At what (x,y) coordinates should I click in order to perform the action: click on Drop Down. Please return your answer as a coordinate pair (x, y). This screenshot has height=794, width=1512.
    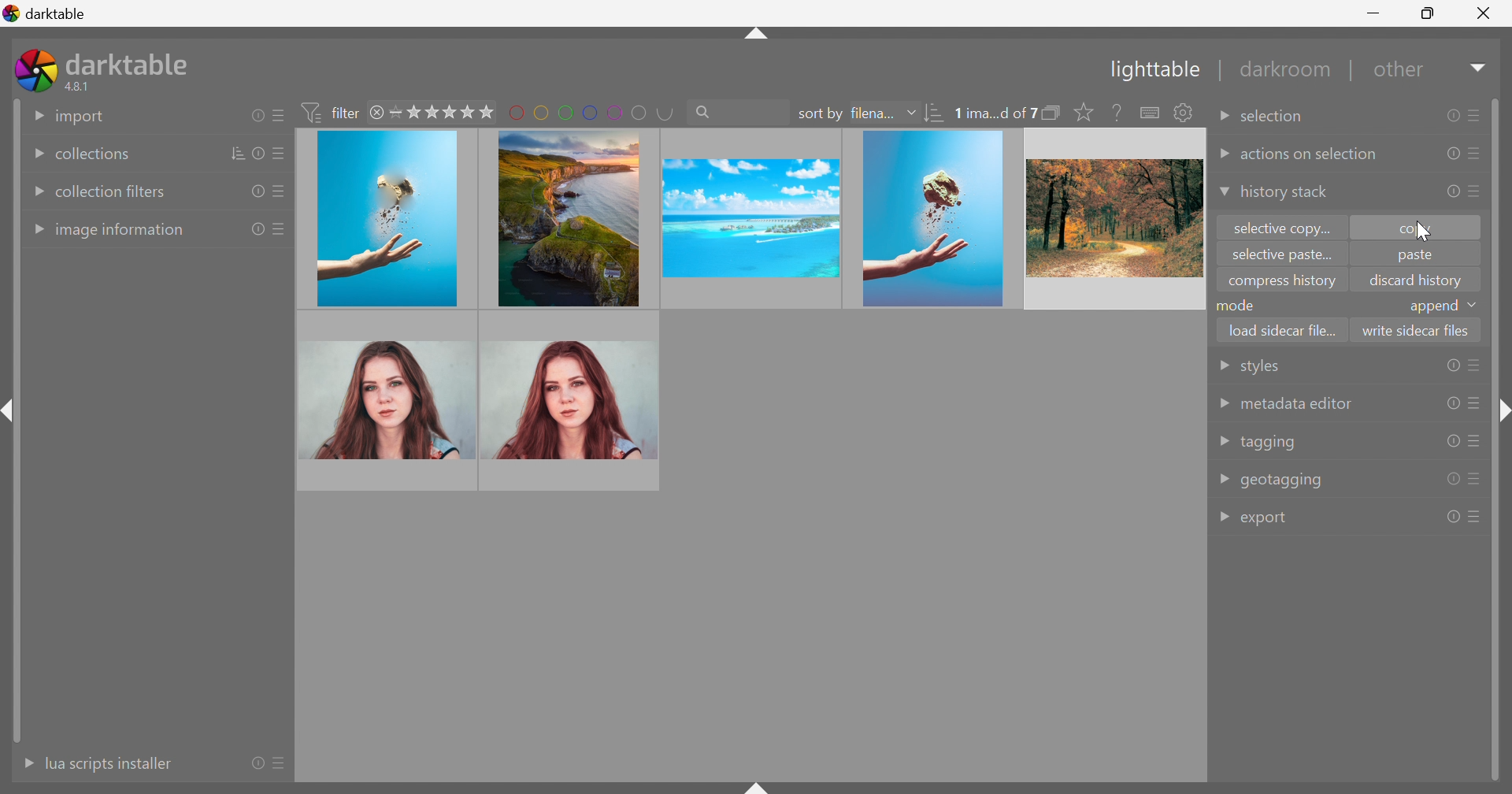
    Looking at the image, I should click on (1480, 67).